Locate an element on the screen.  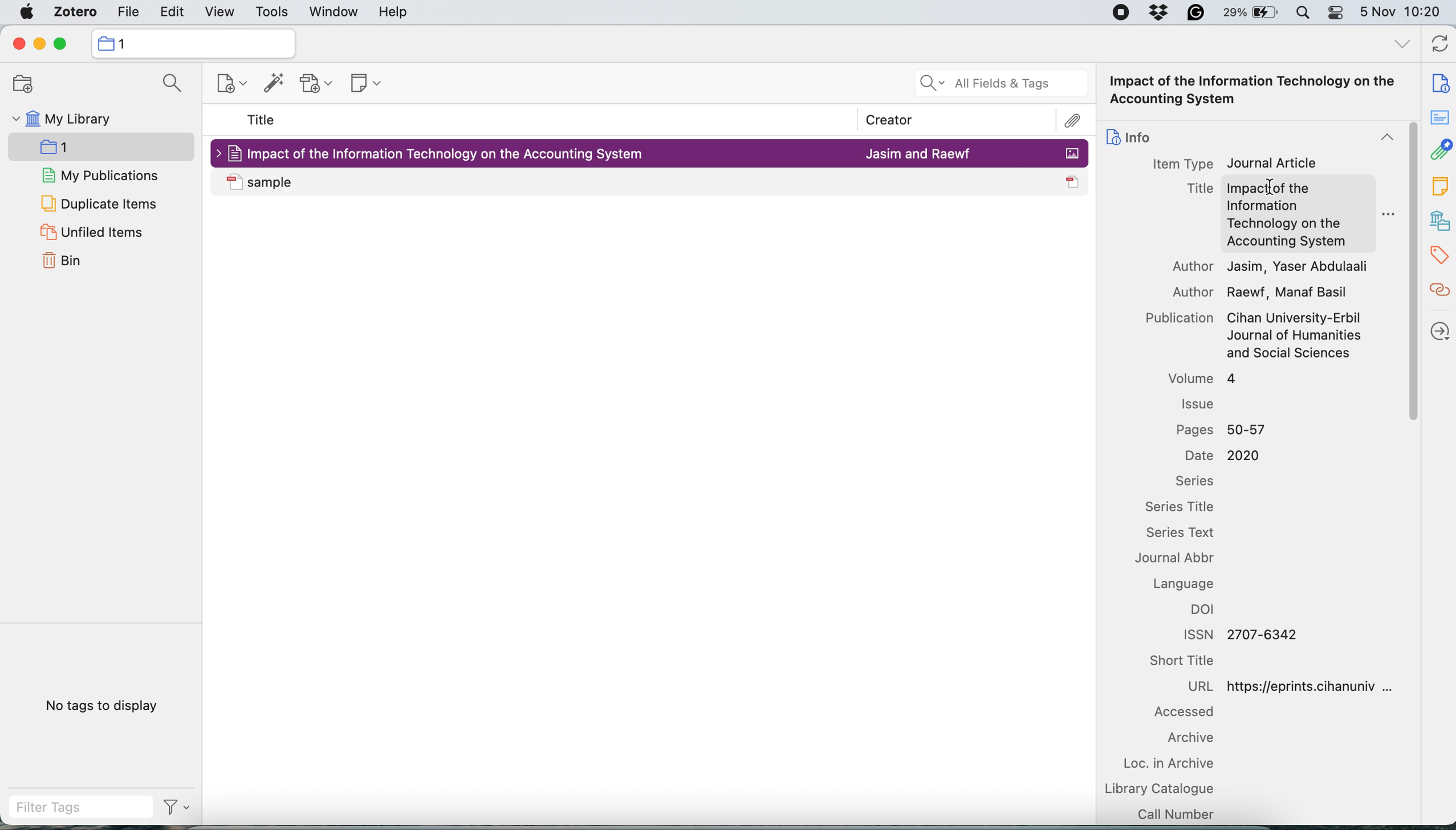
library catalogue is located at coordinates (1173, 788).